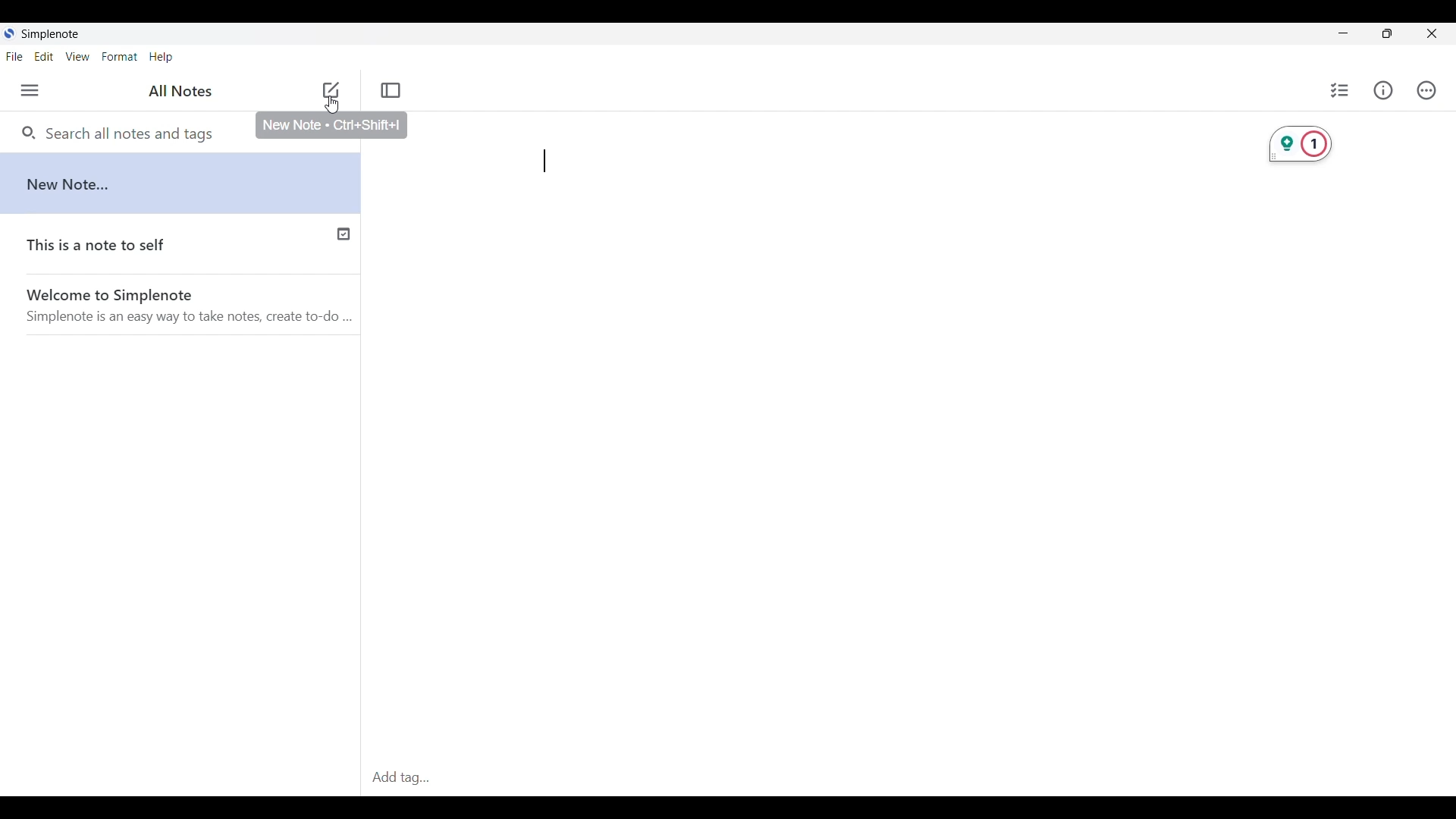 The width and height of the screenshot is (1456, 819). What do you see at coordinates (78, 56) in the screenshot?
I see `View menu` at bounding box center [78, 56].